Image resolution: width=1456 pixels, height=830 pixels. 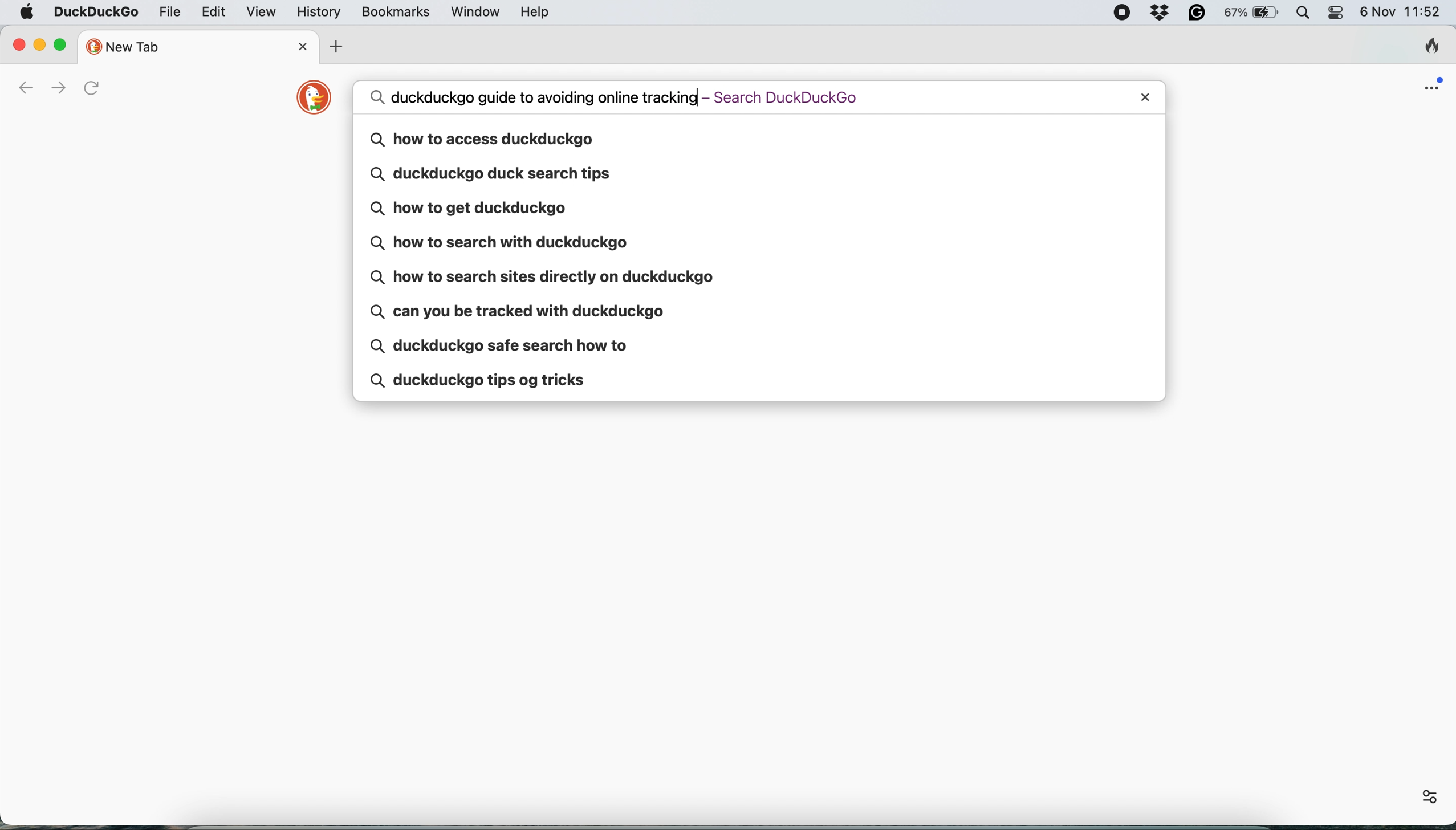 I want to click on 6 Nov 11:52, so click(x=1404, y=13).